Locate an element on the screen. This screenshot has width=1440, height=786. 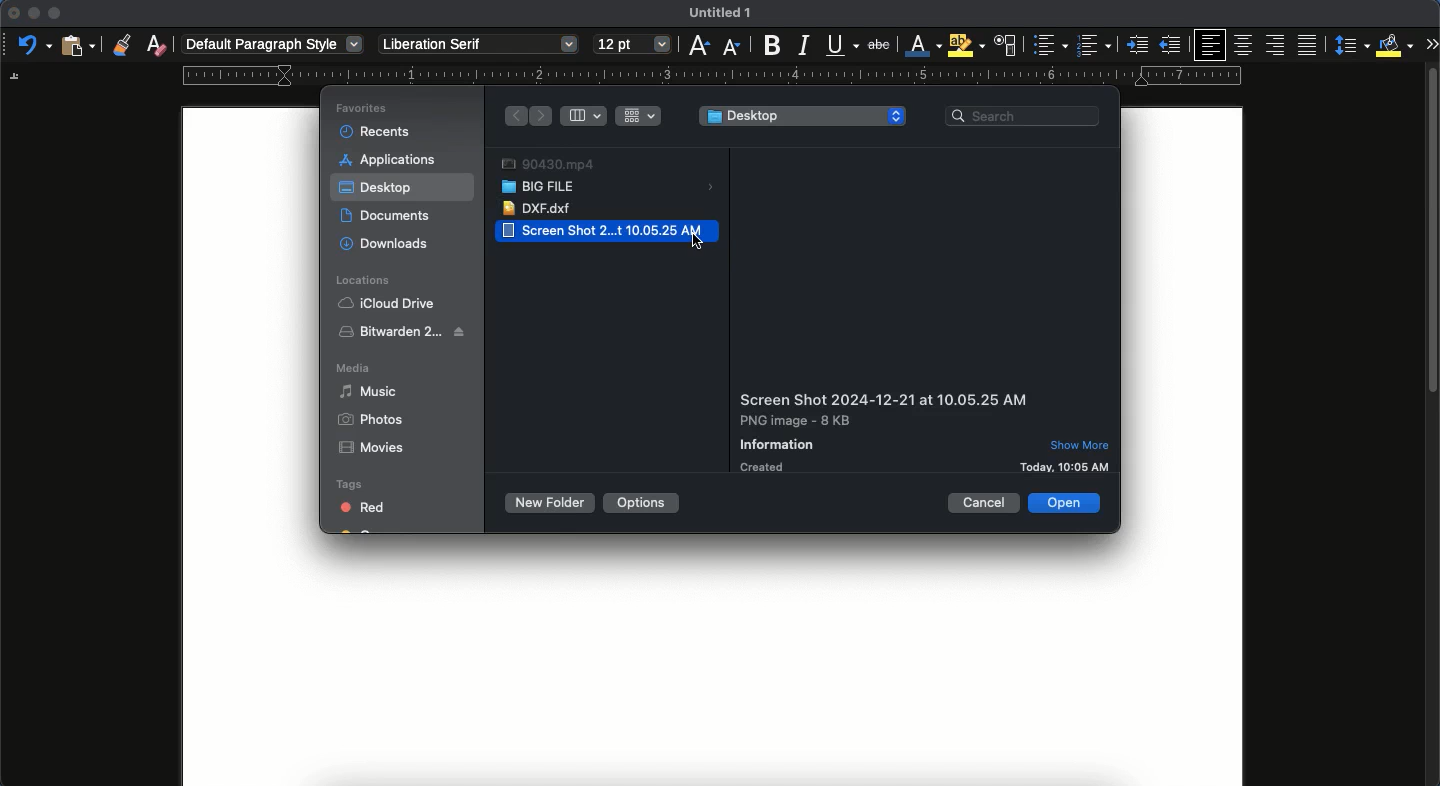
movies is located at coordinates (375, 447).